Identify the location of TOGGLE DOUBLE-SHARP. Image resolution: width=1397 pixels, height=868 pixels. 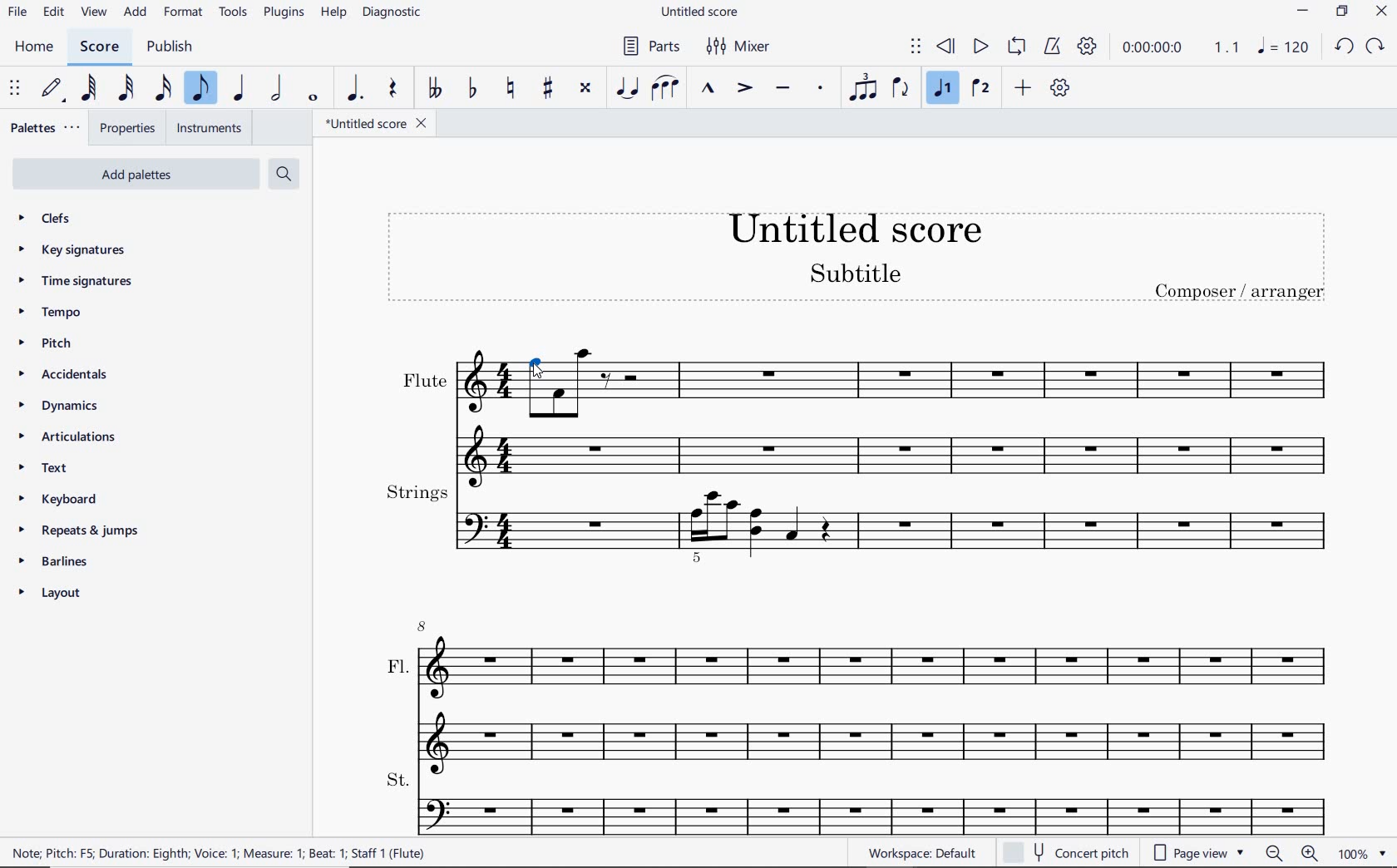
(585, 88).